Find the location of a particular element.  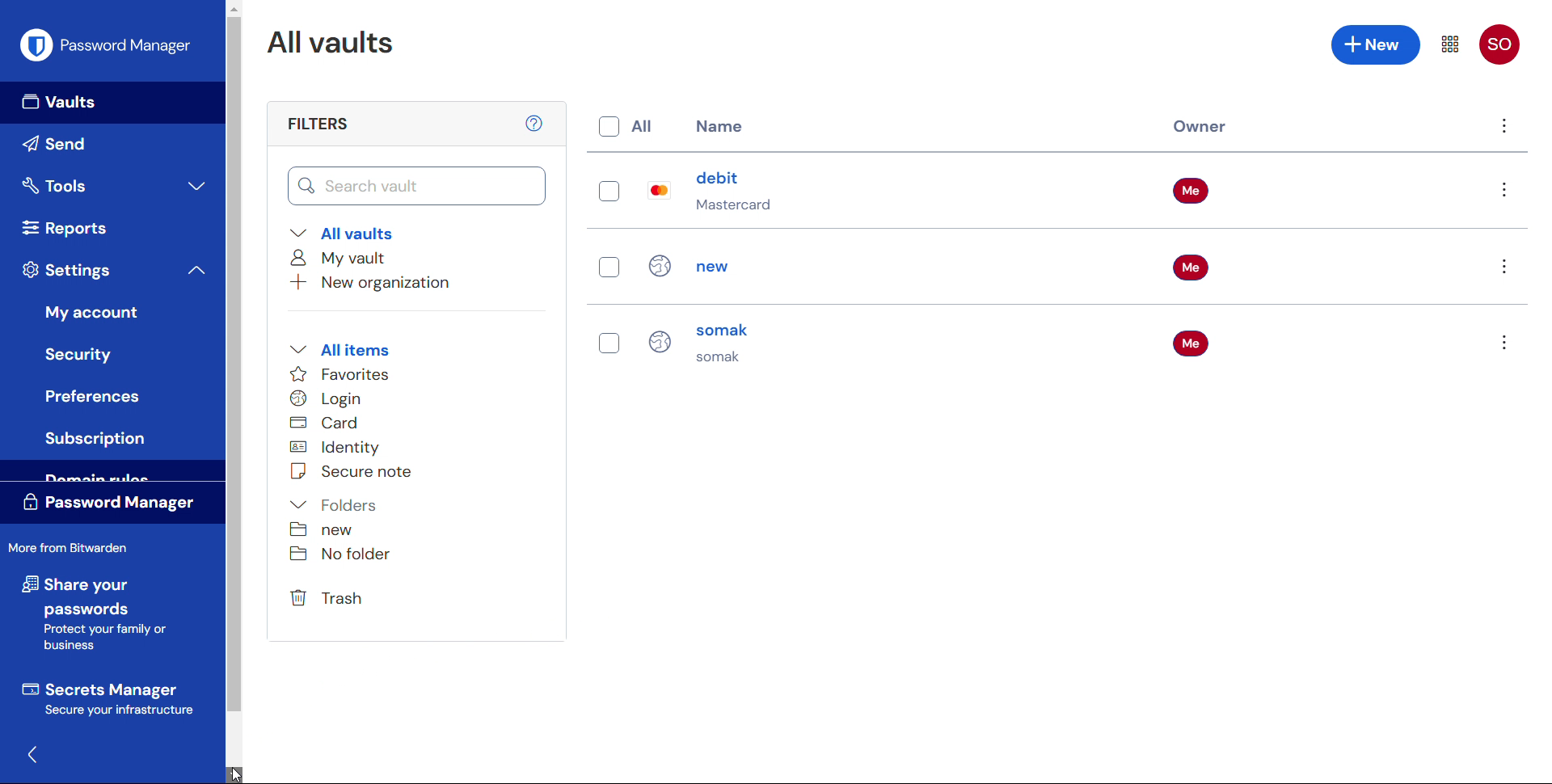

Menu  is located at coordinates (1449, 44).